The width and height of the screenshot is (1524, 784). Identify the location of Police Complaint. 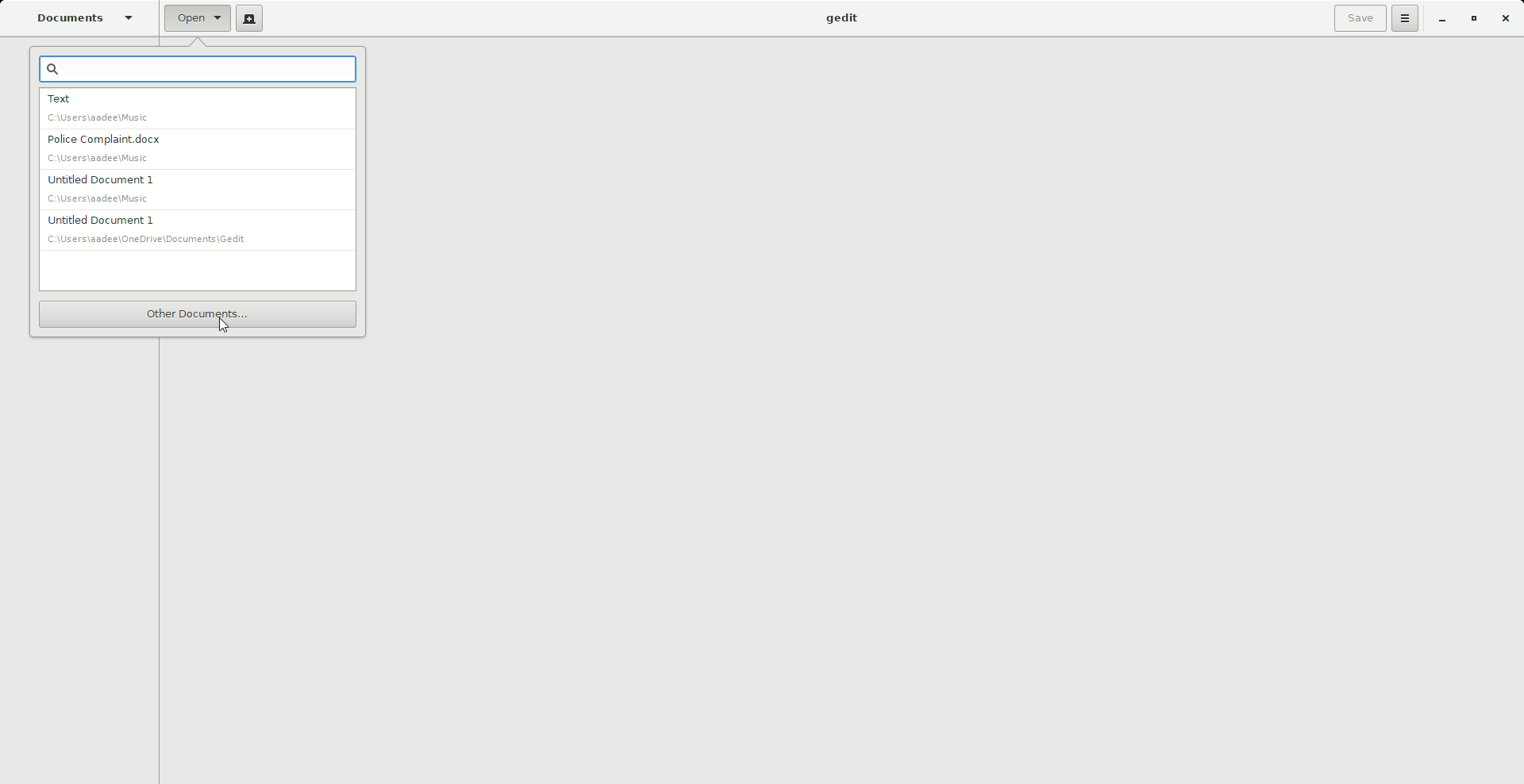
(197, 150).